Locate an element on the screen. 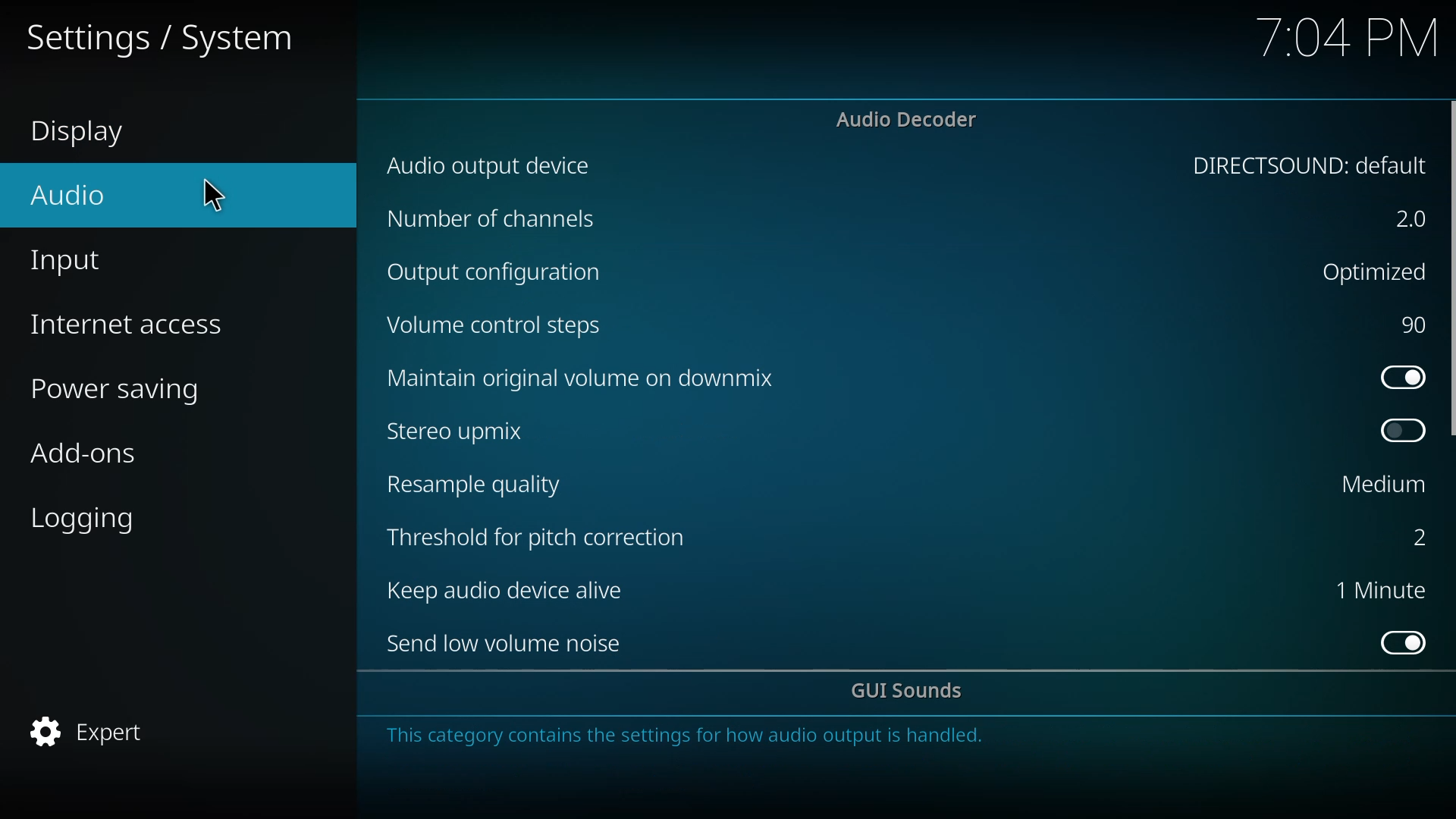 This screenshot has height=819, width=1456. scroll bar is located at coordinates (1454, 270).